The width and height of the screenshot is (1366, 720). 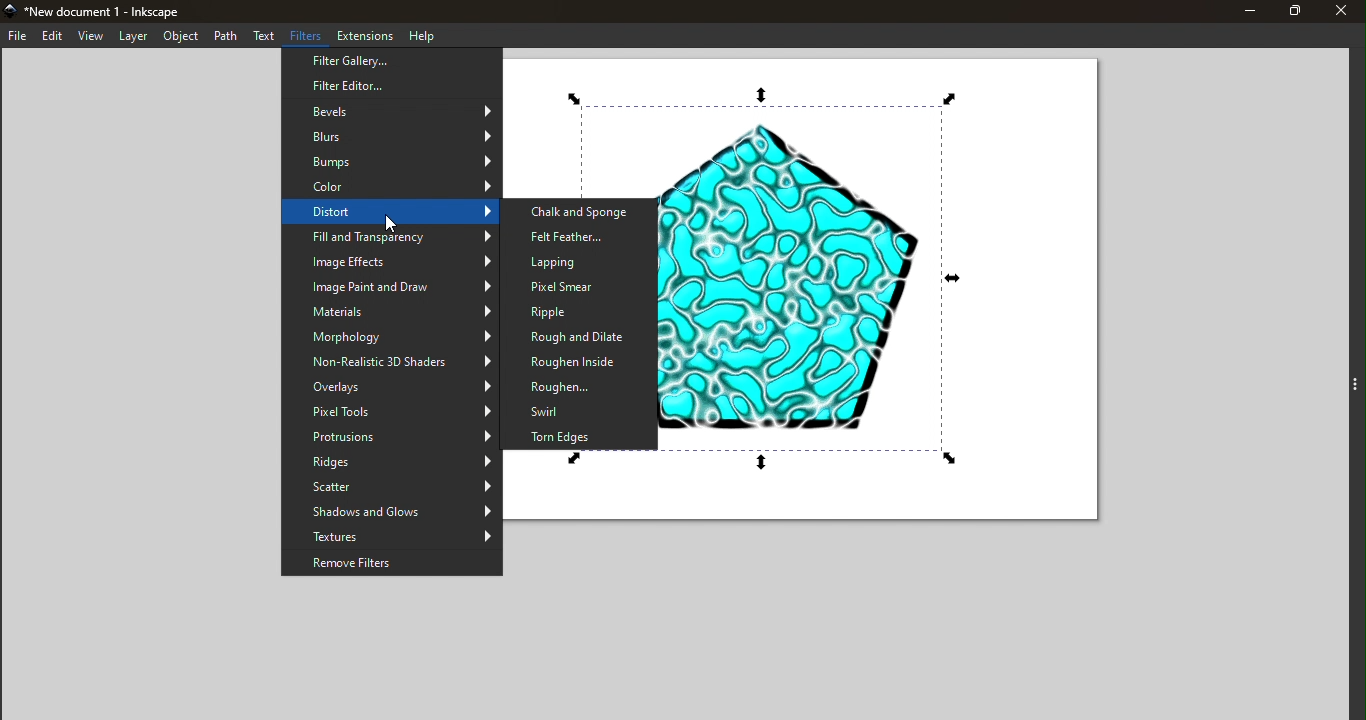 I want to click on Image Effects, so click(x=392, y=262).